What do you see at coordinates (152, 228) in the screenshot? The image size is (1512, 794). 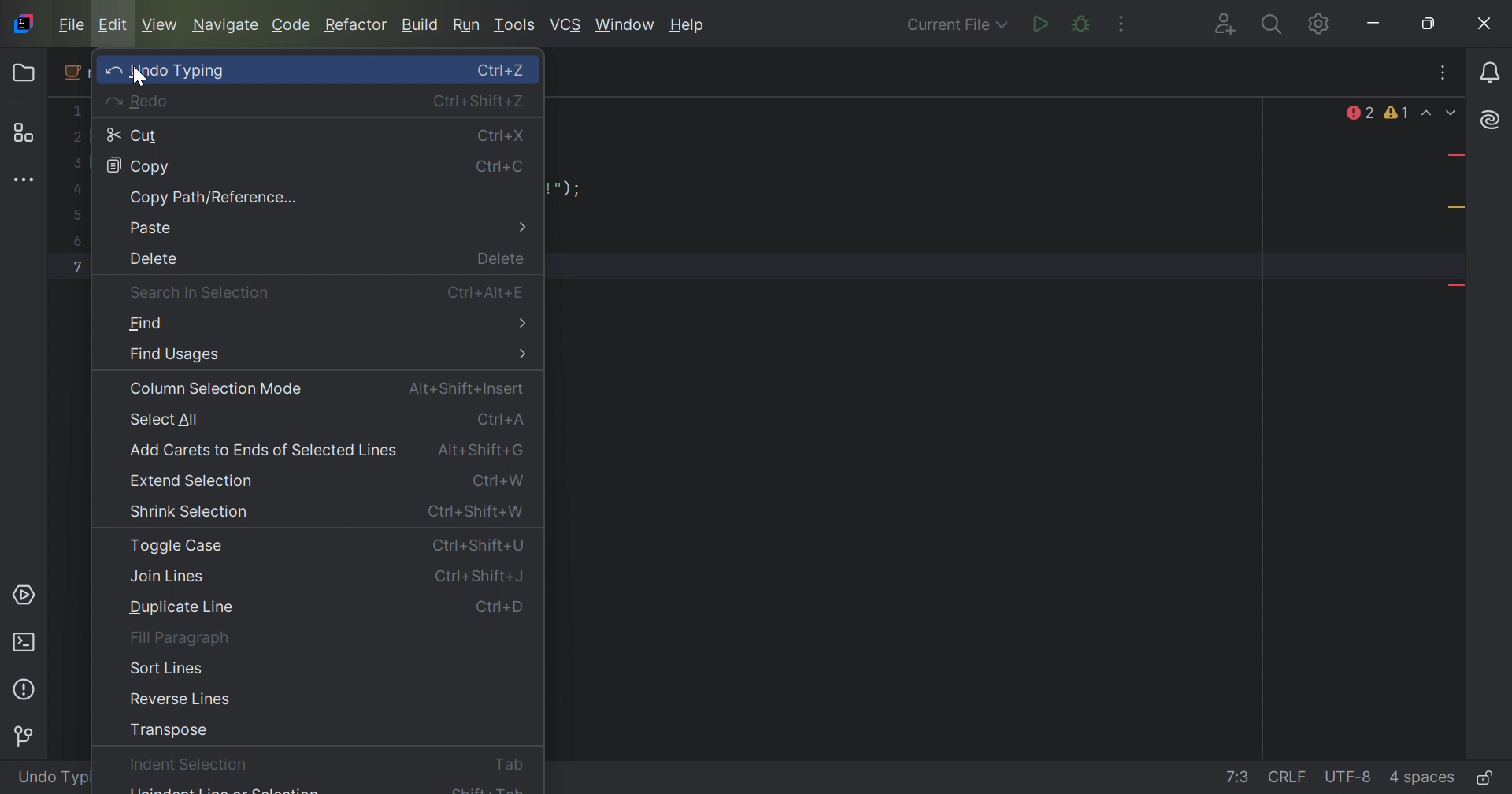 I see `Paste` at bounding box center [152, 228].